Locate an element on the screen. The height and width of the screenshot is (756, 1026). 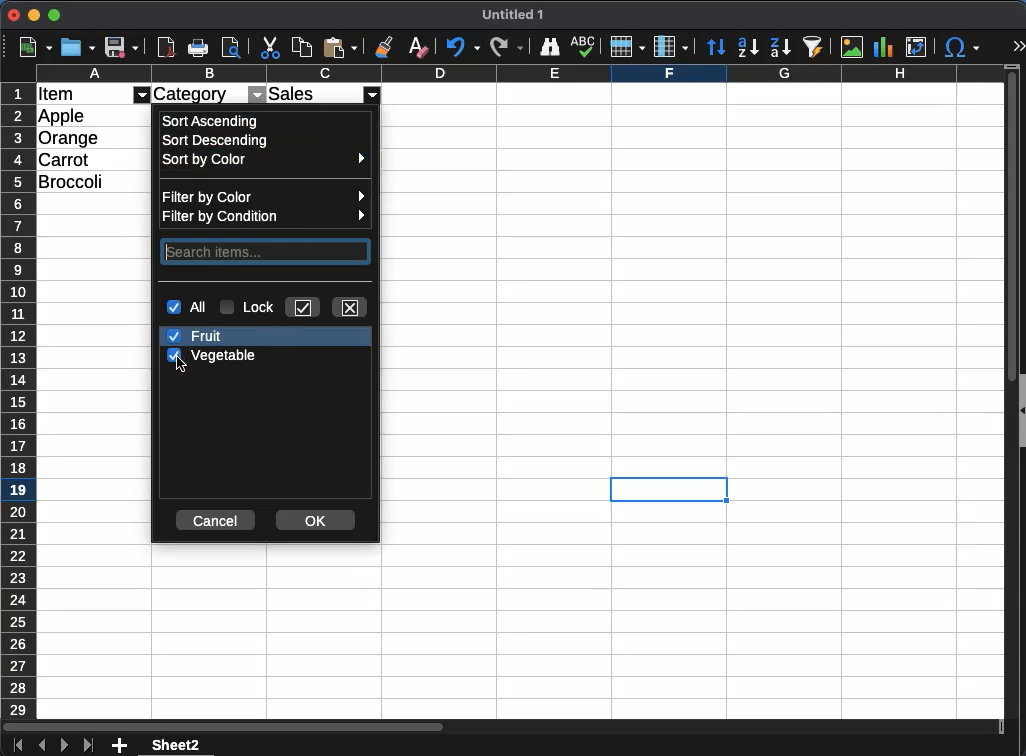
ok is located at coordinates (314, 521).